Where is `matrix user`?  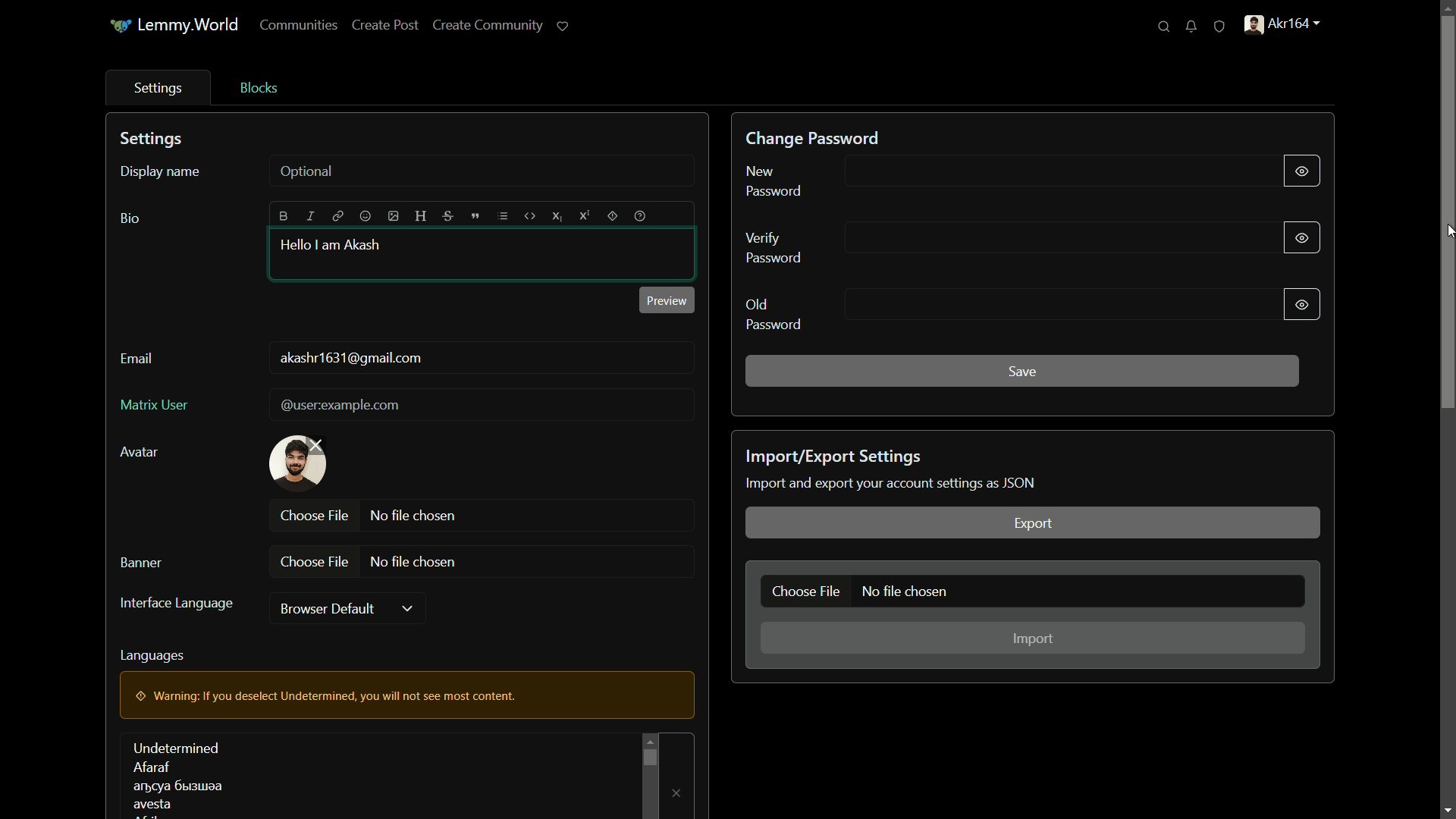
matrix user is located at coordinates (155, 406).